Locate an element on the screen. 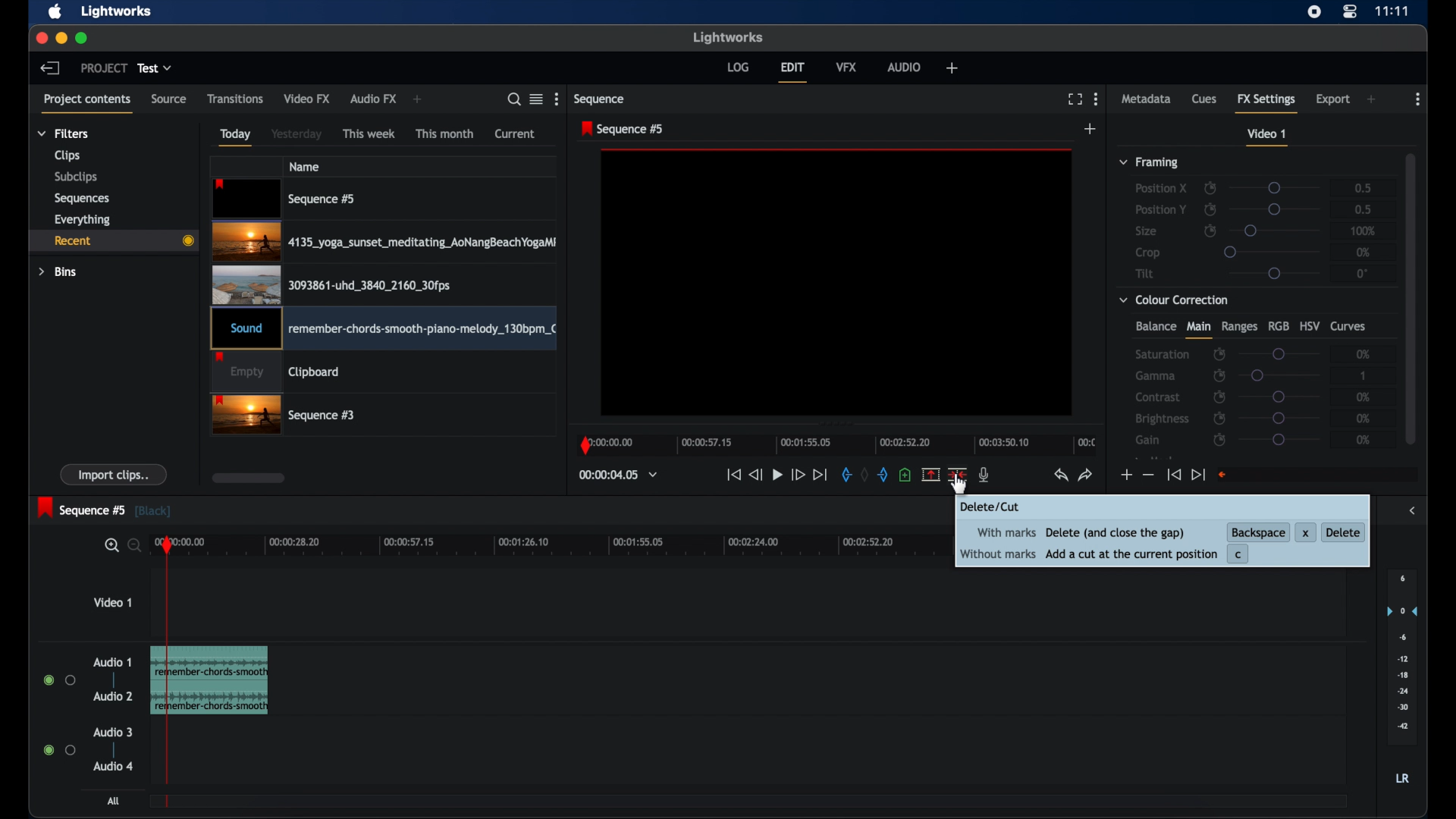 Image resolution: width=1456 pixels, height=819 pixels. jump to start is located at coordinates (1174, 475).